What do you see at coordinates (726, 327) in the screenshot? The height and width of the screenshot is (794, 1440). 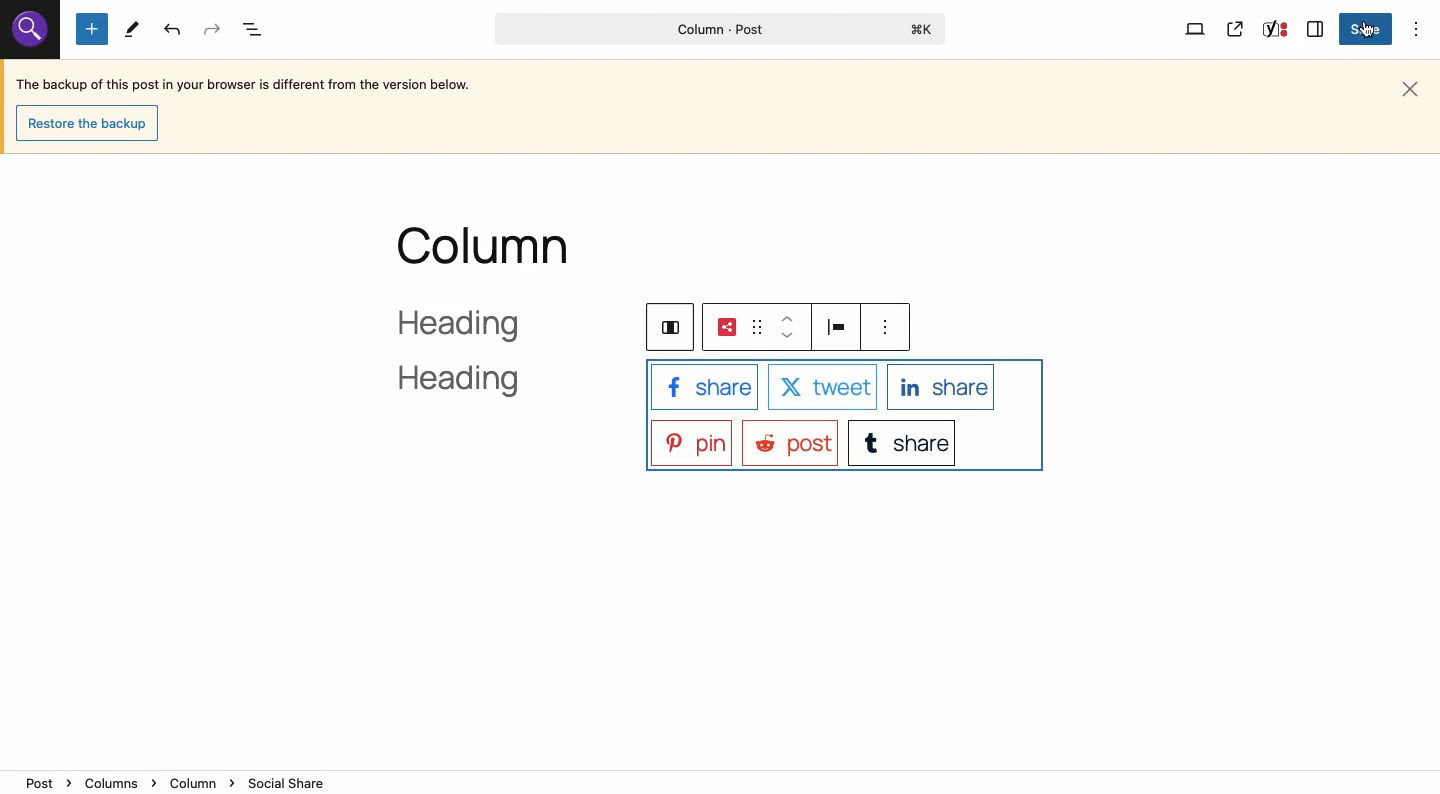 I see `Social share` at bounding box center [726, 327].